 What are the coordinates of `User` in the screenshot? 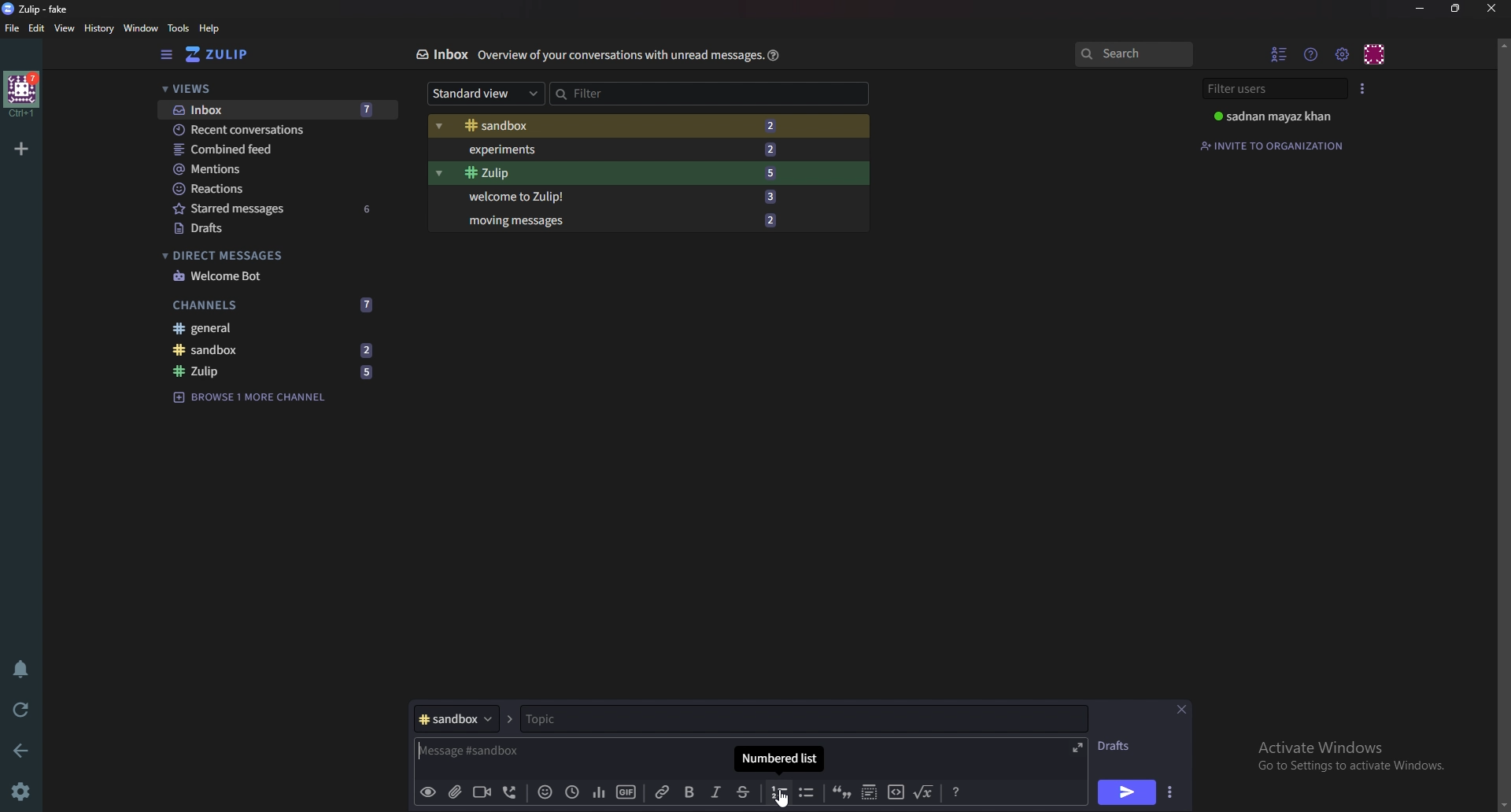 It's located at (1276, 116).